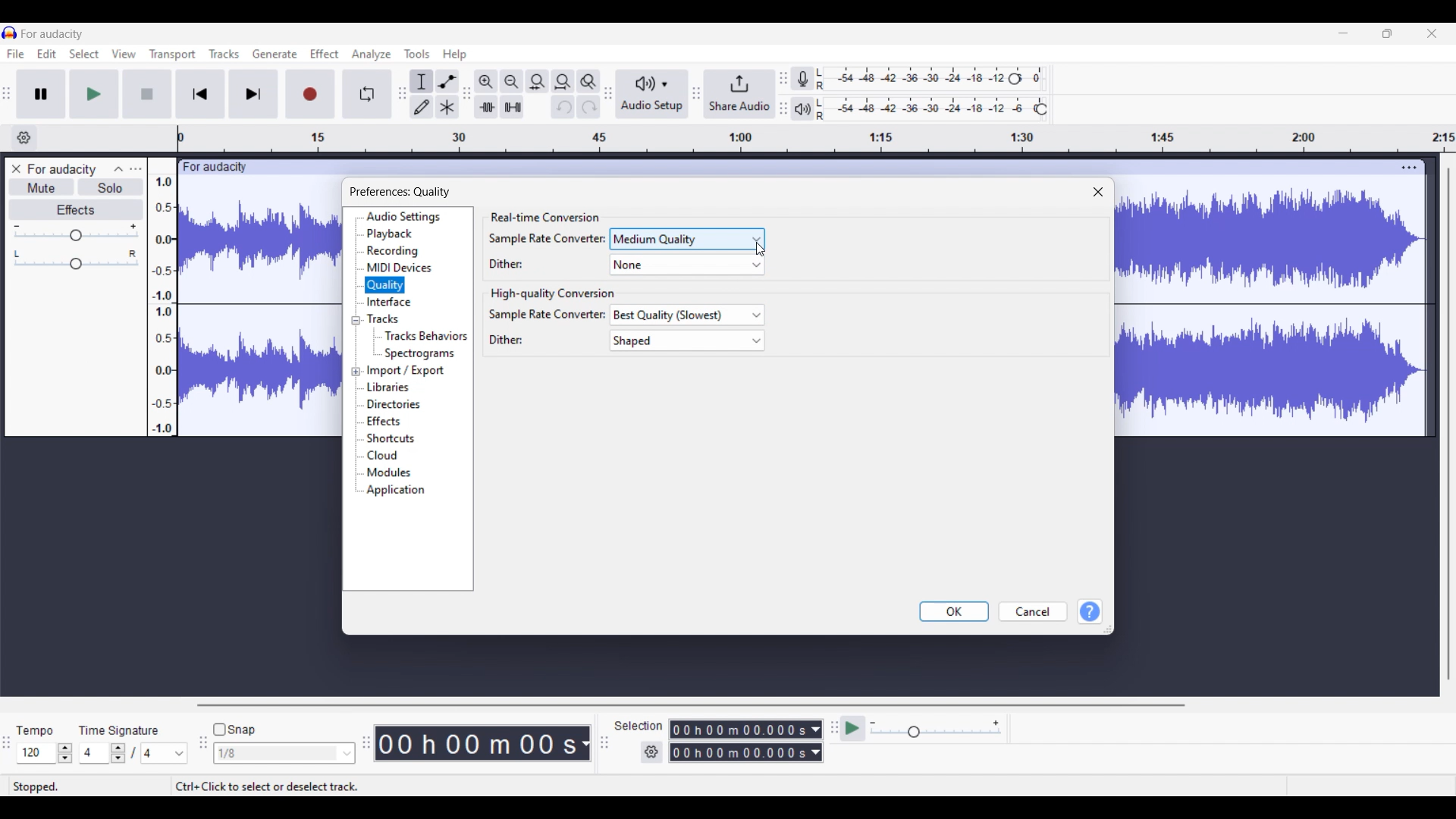 The height and width of the screenshot is (819, 1456). Describe the element at coordinates (324, 54) in the screenshot. I see `Effect menu` at that location.